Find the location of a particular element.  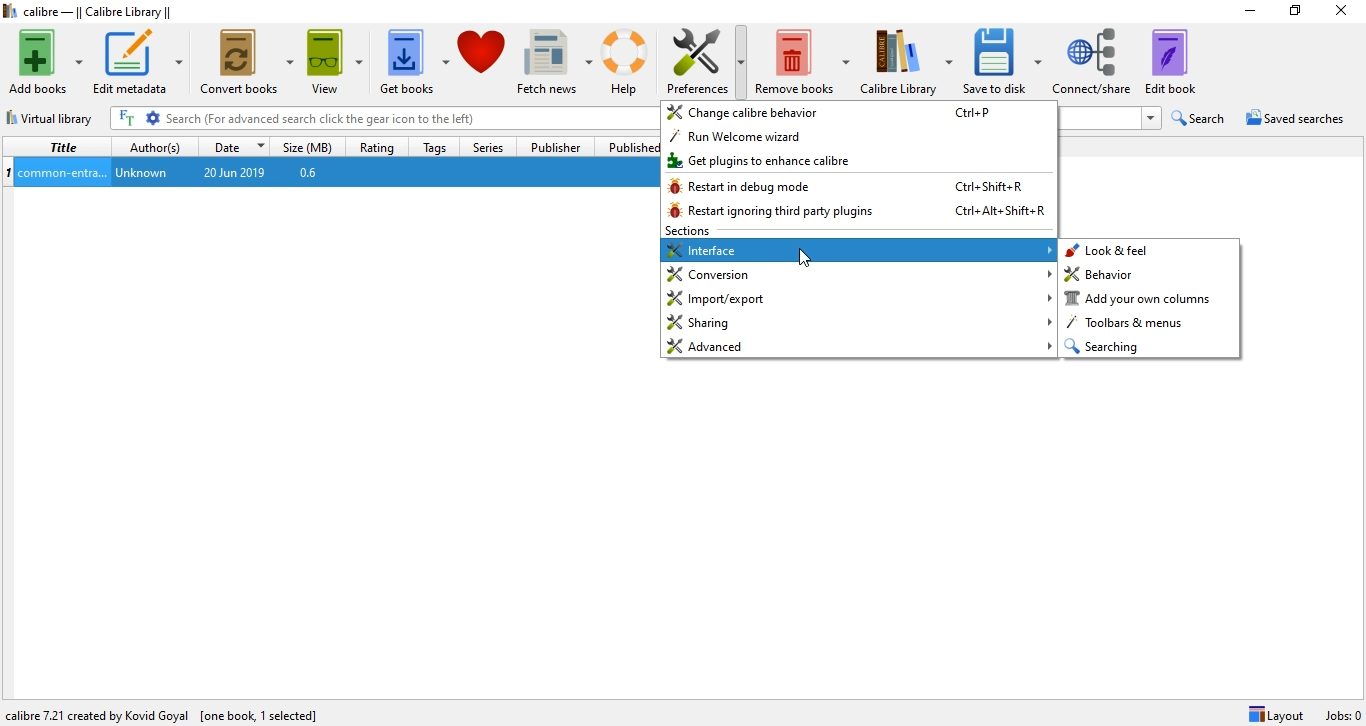

restart ignoring third party plugins is located at coordinates (857, 213).